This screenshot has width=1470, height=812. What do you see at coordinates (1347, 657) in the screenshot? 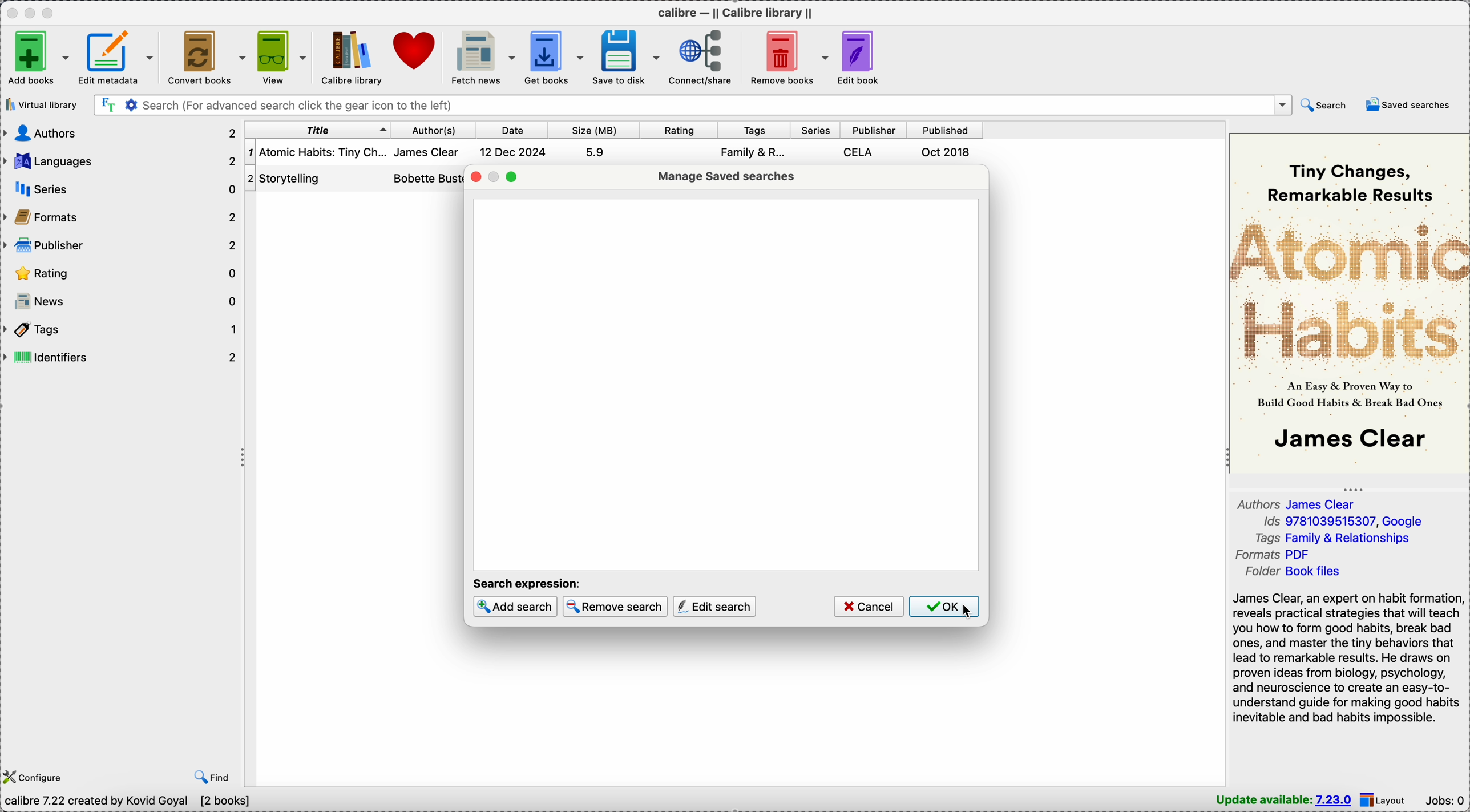
I see `James Clear, an expert on habit formation,
reveals practical strategies that will teach
you how to form good habits, break bad
ones, and master the tiny behaviors that
lead to remarkable results. He draws on
proven ideas from biology, psychology,
and neuroscience to create an easy-to-
understand guide for making good habits
inevitable and bad habits impossible.` at bounding box center [1347, 657].